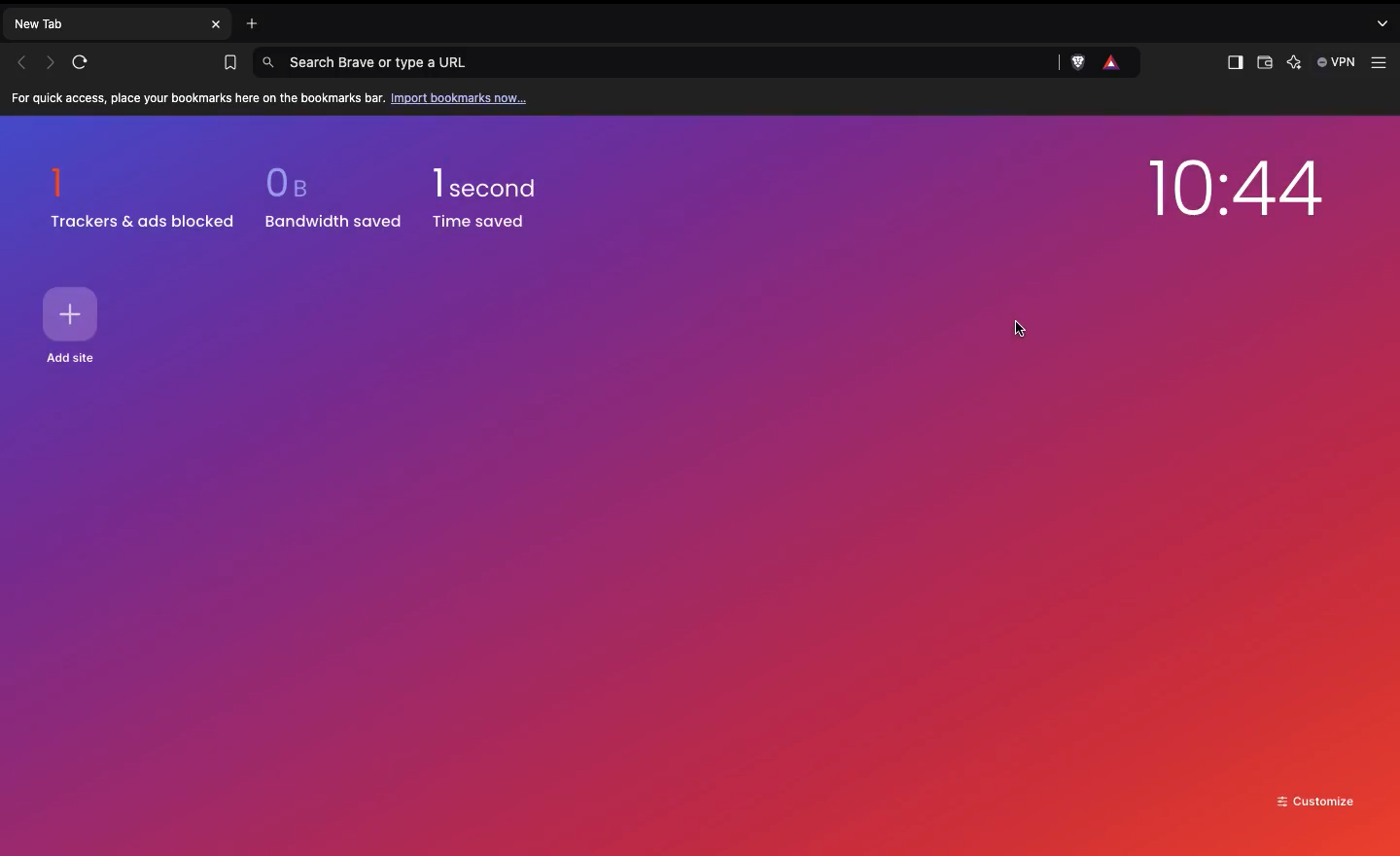 The image size is (1400, 856). Describe the element at coordinates (198, 99) in the screenshot. I see `For quick access, place your bookmarks here on the bookmarks bar.` at that location.